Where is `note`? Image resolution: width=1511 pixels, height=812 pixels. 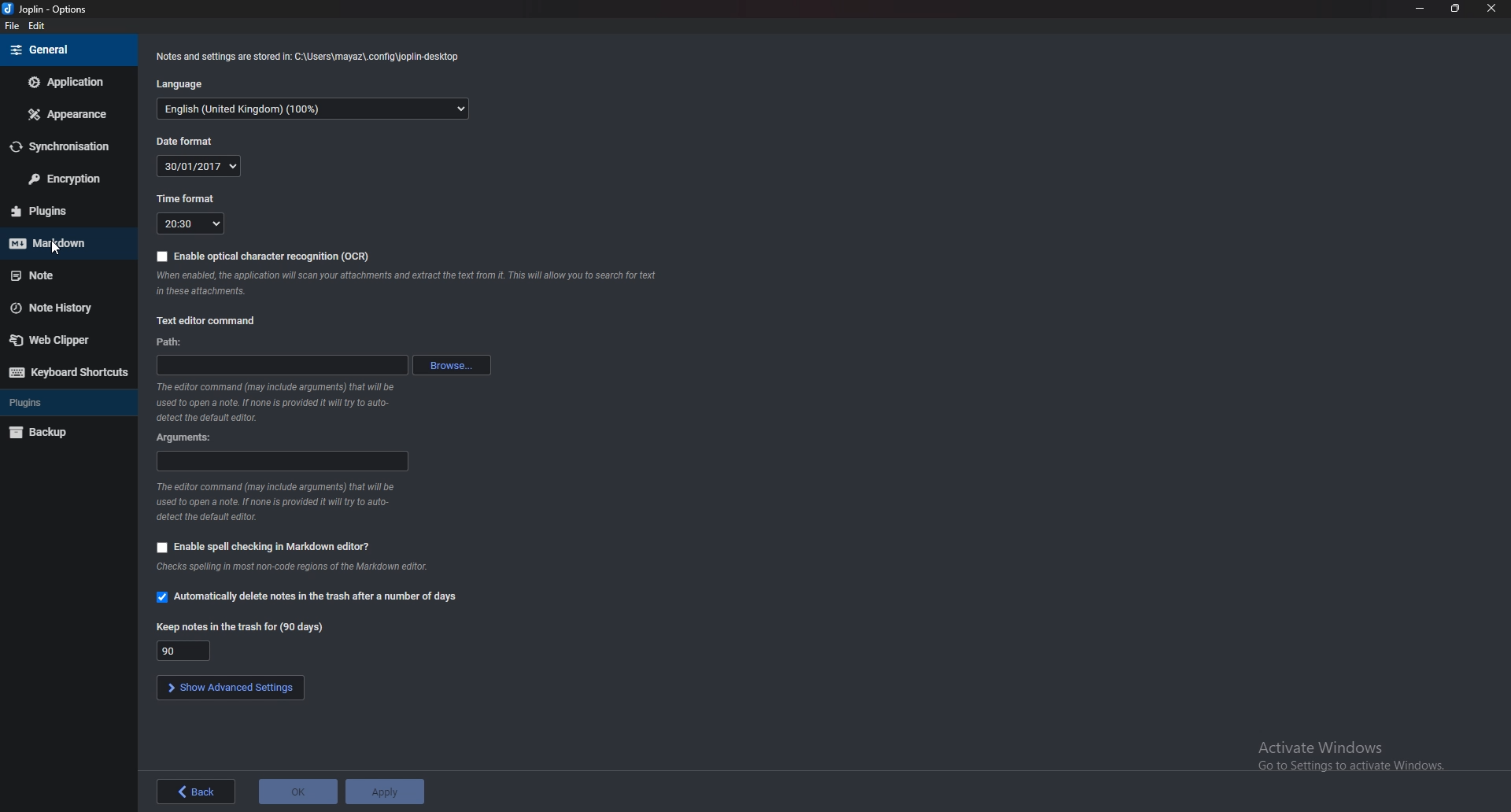
note is located at coordinates (68, 273).